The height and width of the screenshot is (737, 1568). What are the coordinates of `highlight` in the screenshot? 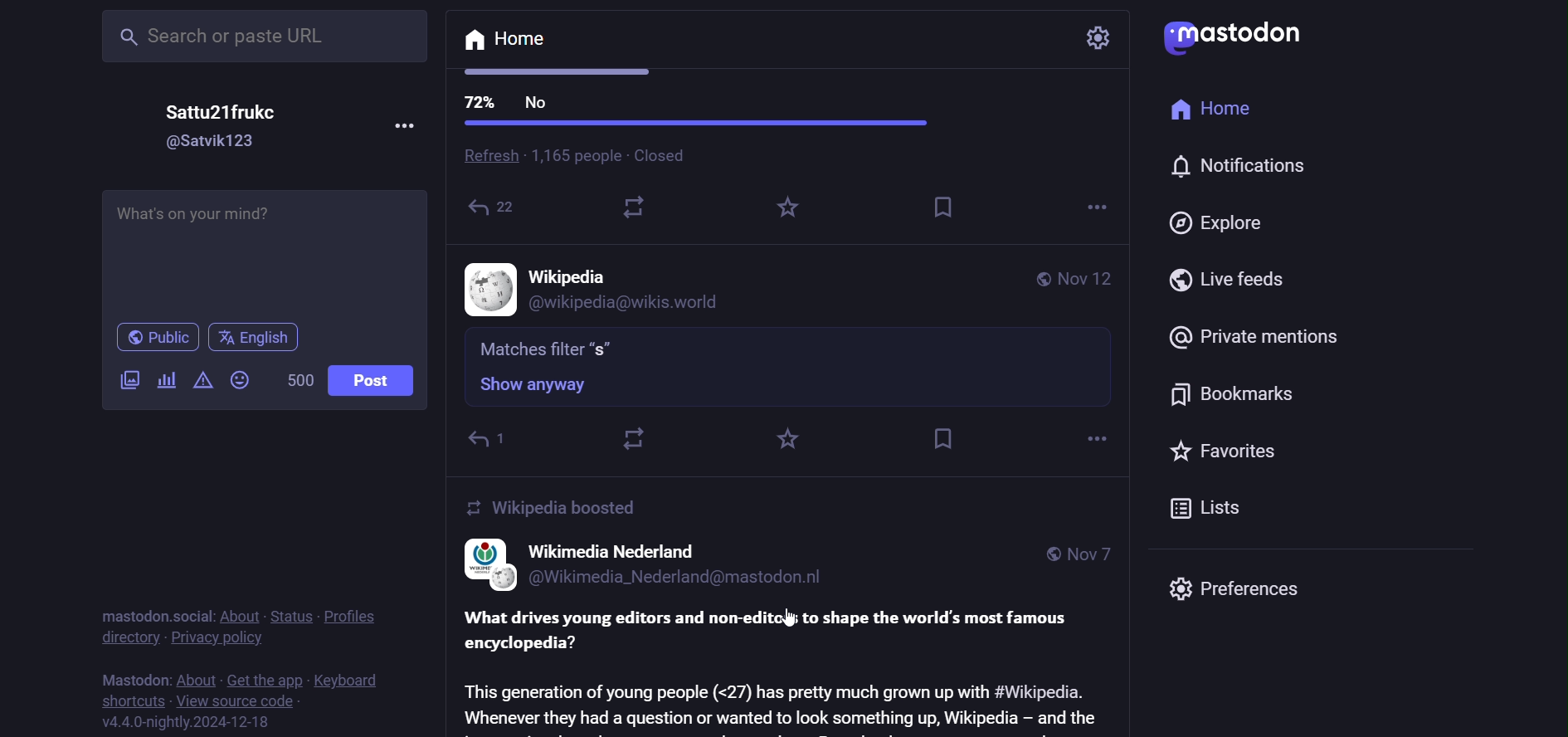 It's located at (786, 213).